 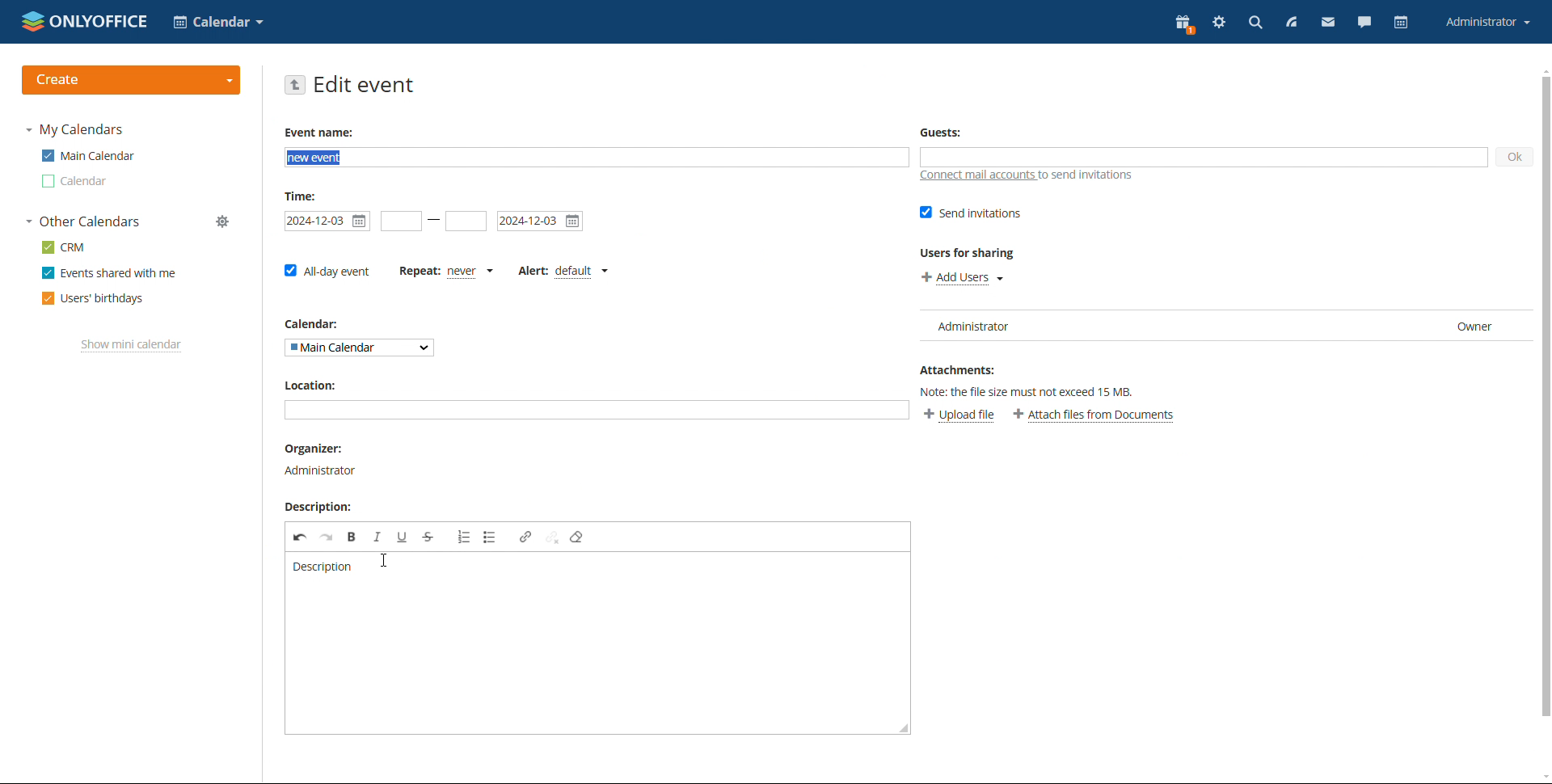 What do you see at coordinates (218, 22) in the screenshot?
I see `select application` at bounding box center [218, 22].